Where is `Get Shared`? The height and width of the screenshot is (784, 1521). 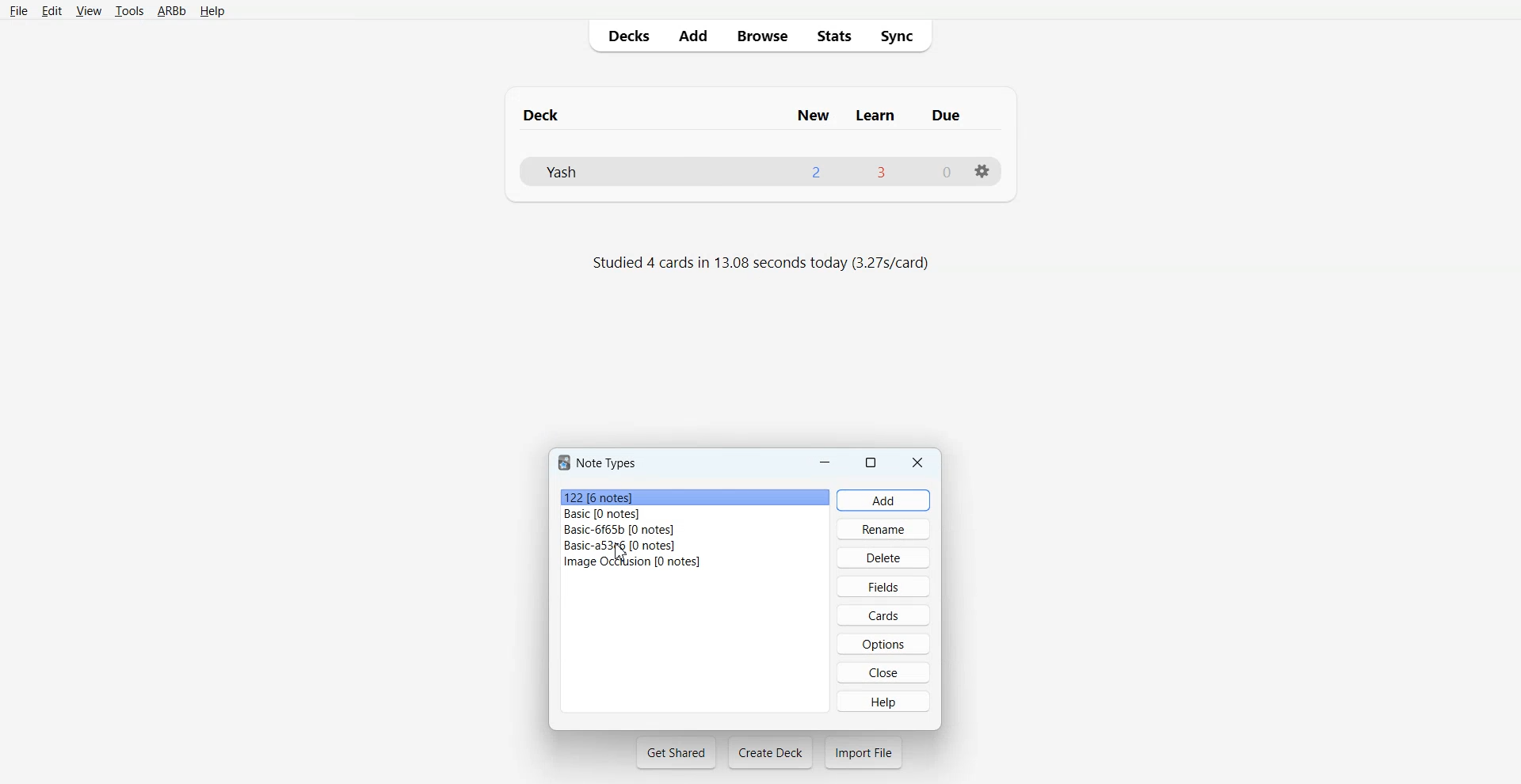
Get Shared is located at coordinates (677, 752).